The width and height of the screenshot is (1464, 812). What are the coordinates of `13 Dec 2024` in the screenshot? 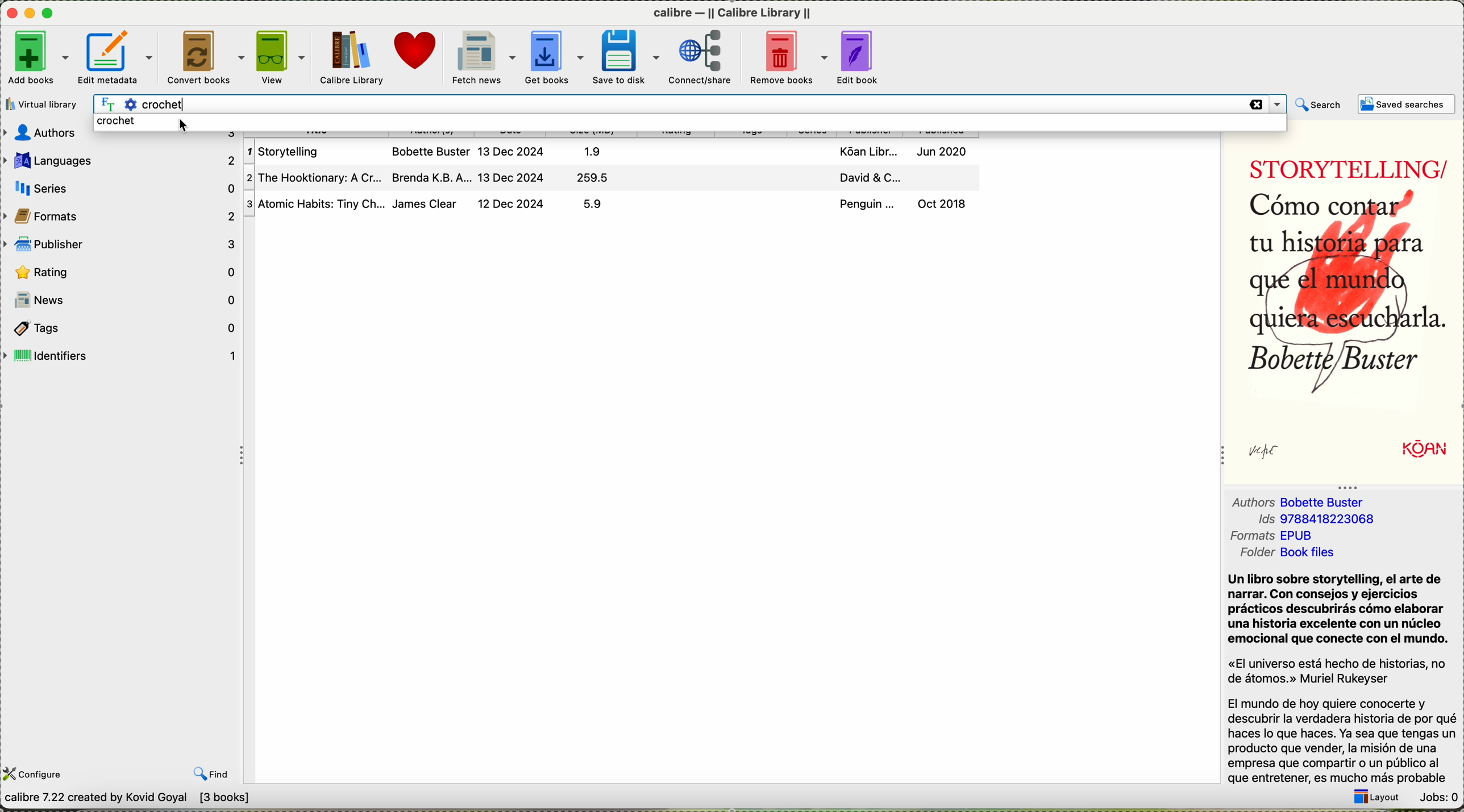 It's located at (514, 150).